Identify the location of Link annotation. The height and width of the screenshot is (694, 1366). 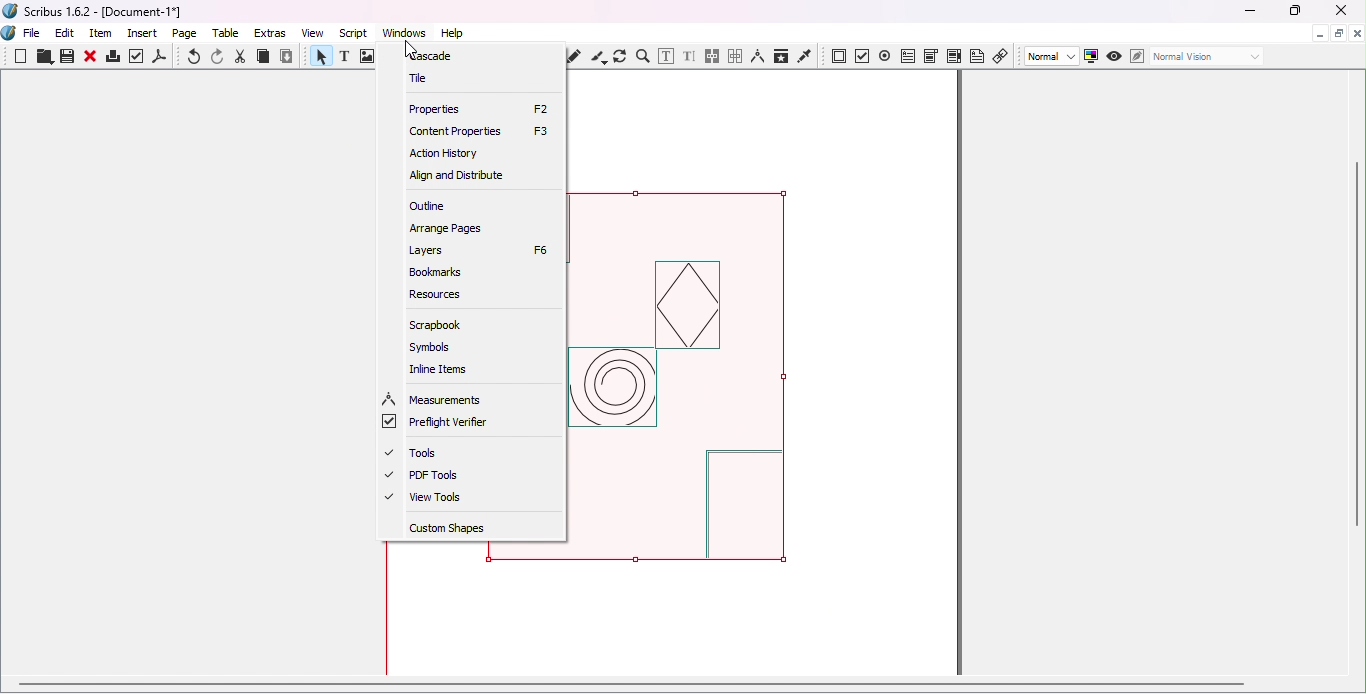
(1002, 55).